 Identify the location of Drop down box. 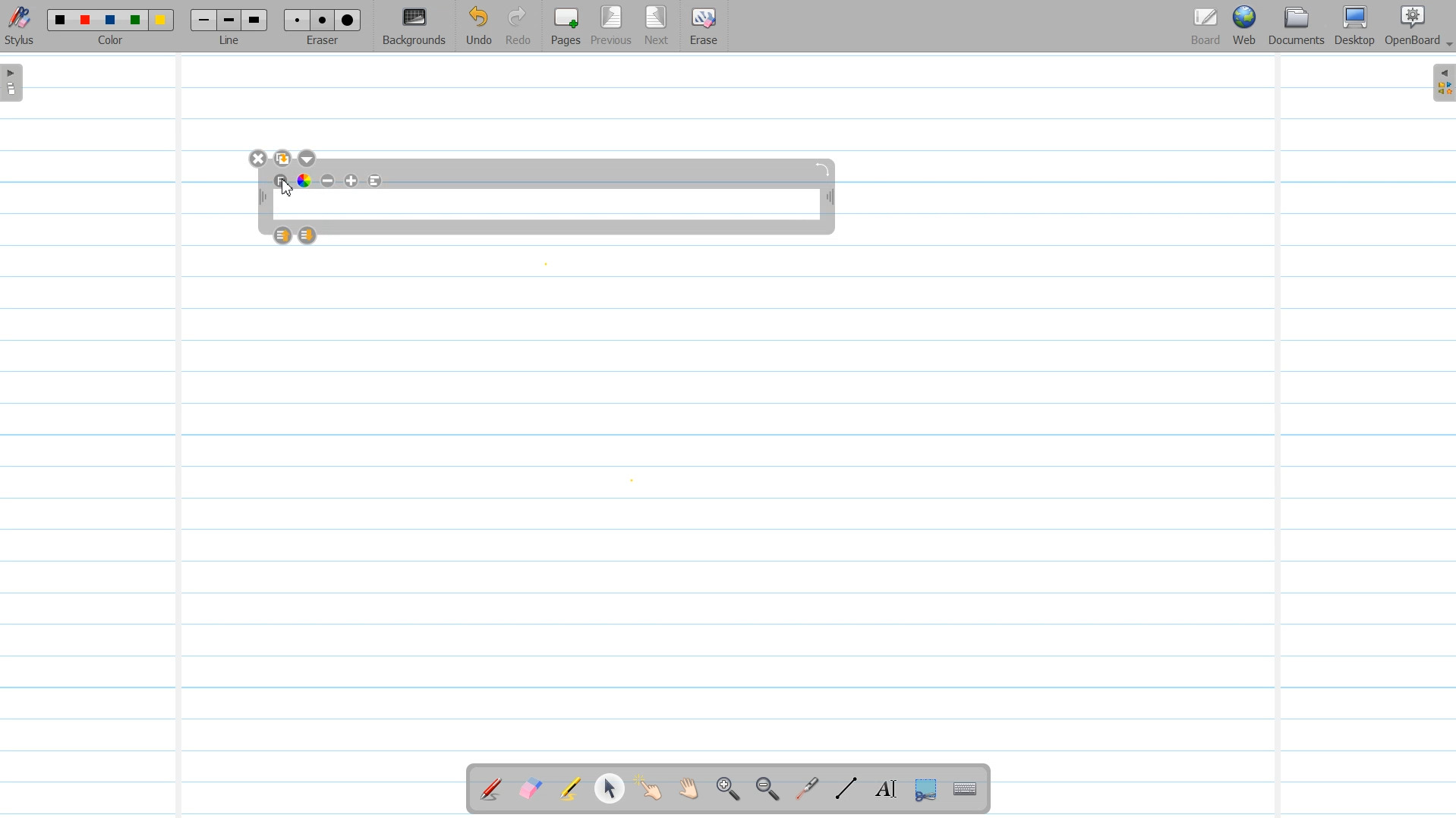
(309, 159).